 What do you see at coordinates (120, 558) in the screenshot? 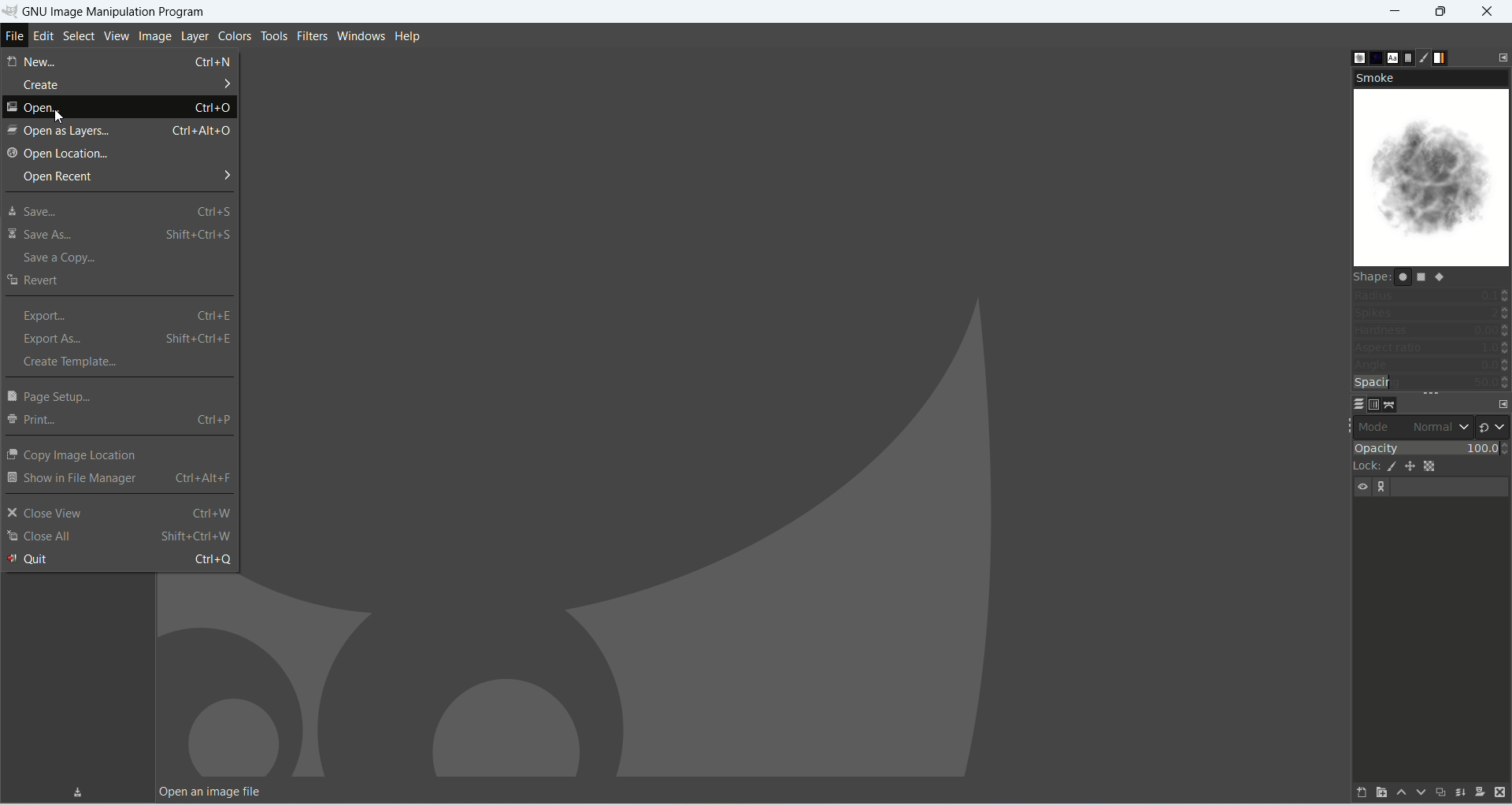
I see `quit` at bounding box center [120, 558].